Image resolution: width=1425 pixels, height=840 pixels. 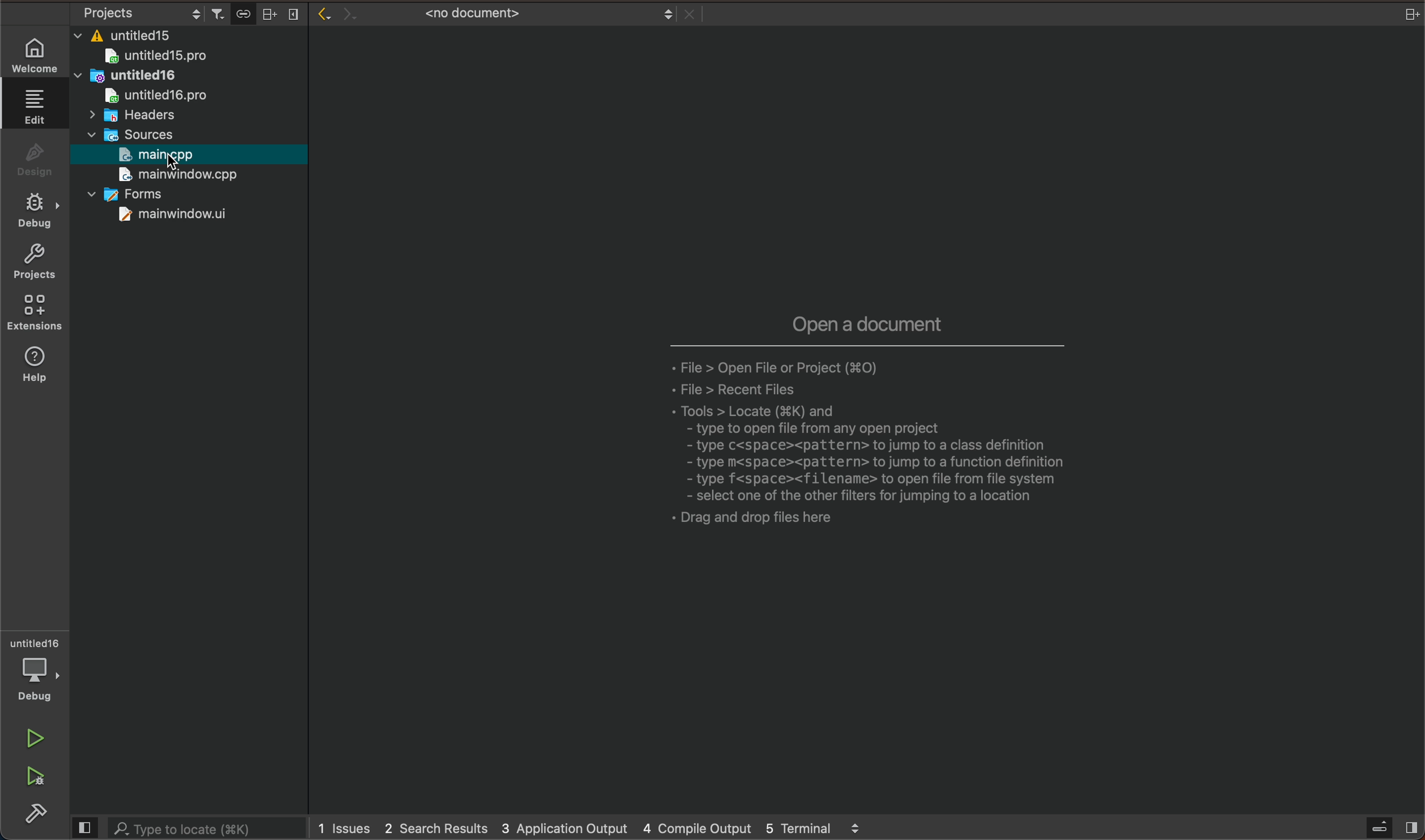 I want to click on , so click(x=247, y=15).